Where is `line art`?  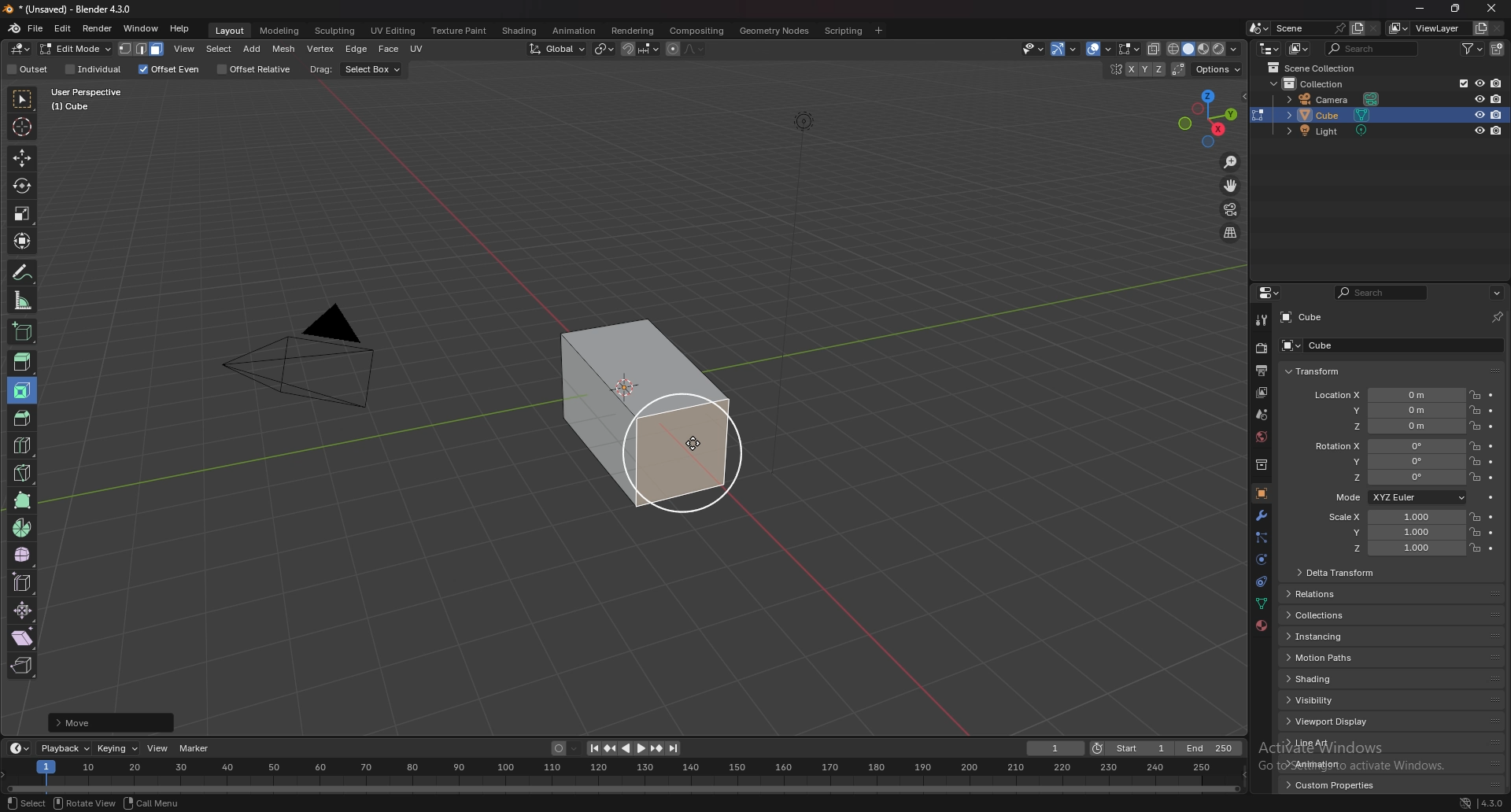 line art is located at coordinates (1329, 743).